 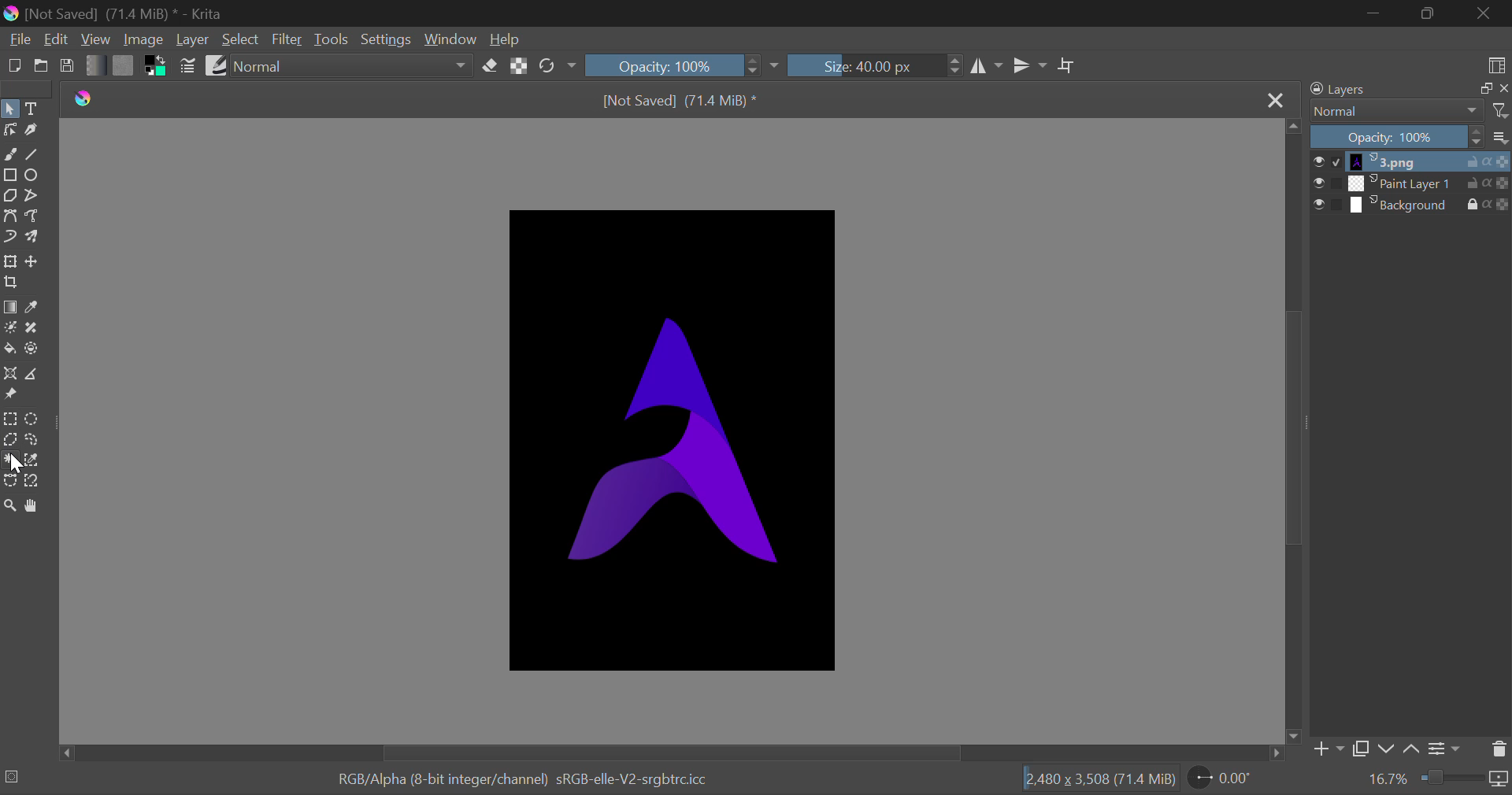 What do you see at coordinates (775, 65) in the screenshot?
I see `dropdown` at bounding box center [775, 65].